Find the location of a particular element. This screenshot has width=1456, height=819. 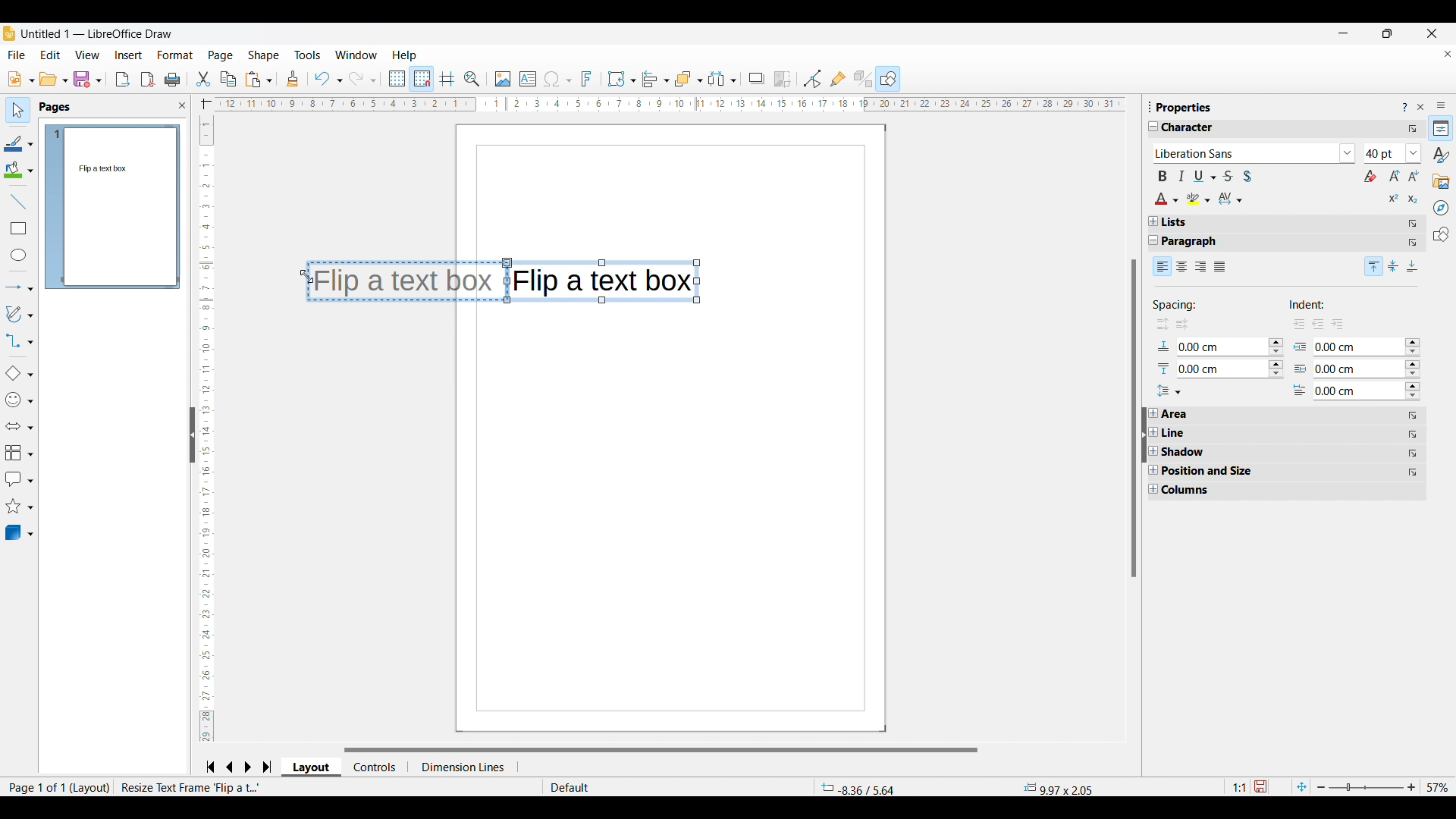

sub indent is located at coordinates (1342, 323).